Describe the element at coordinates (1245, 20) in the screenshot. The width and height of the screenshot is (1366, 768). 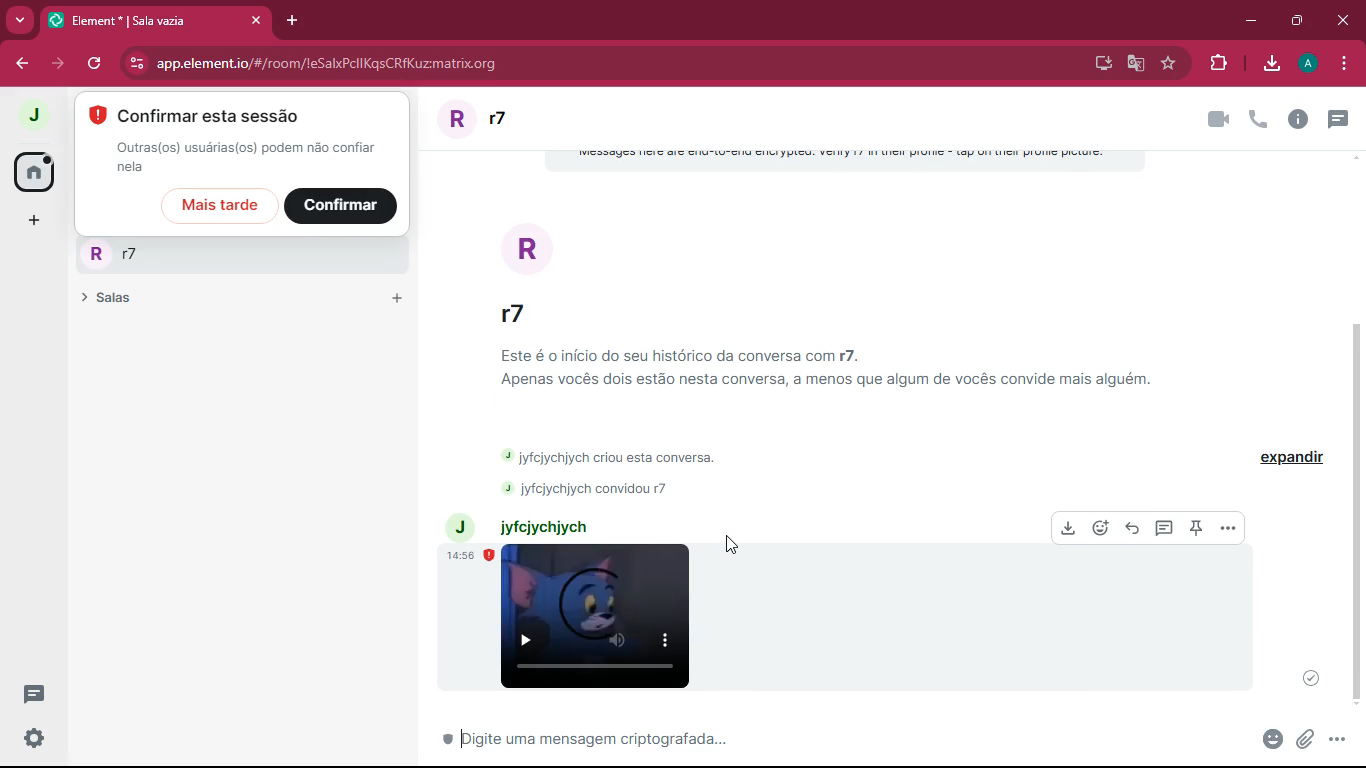
I see `minimize` at that location.